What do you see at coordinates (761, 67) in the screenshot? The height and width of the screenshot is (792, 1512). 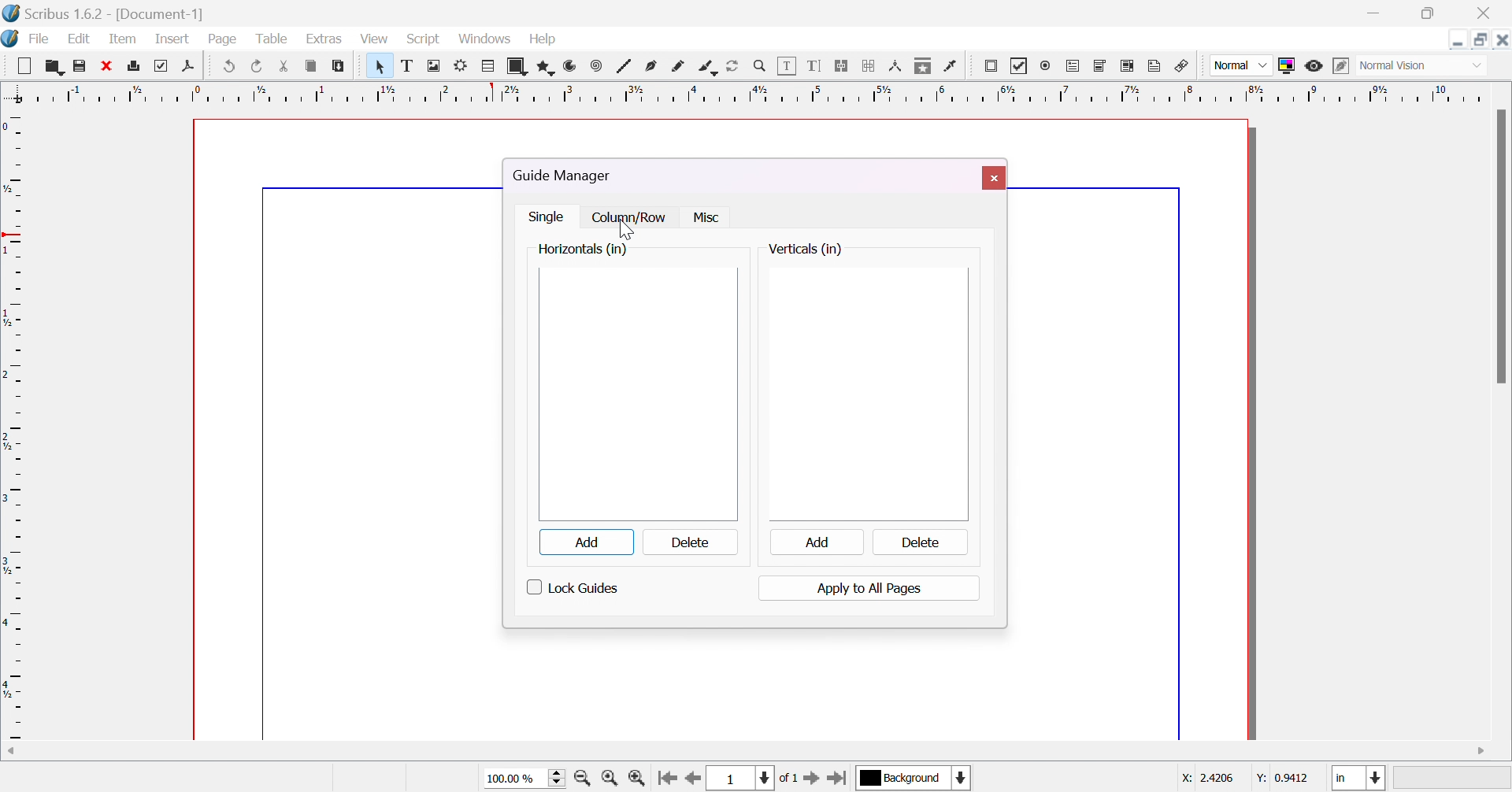 I see `zoom in / zoom out` at bounding box center [761, 67].